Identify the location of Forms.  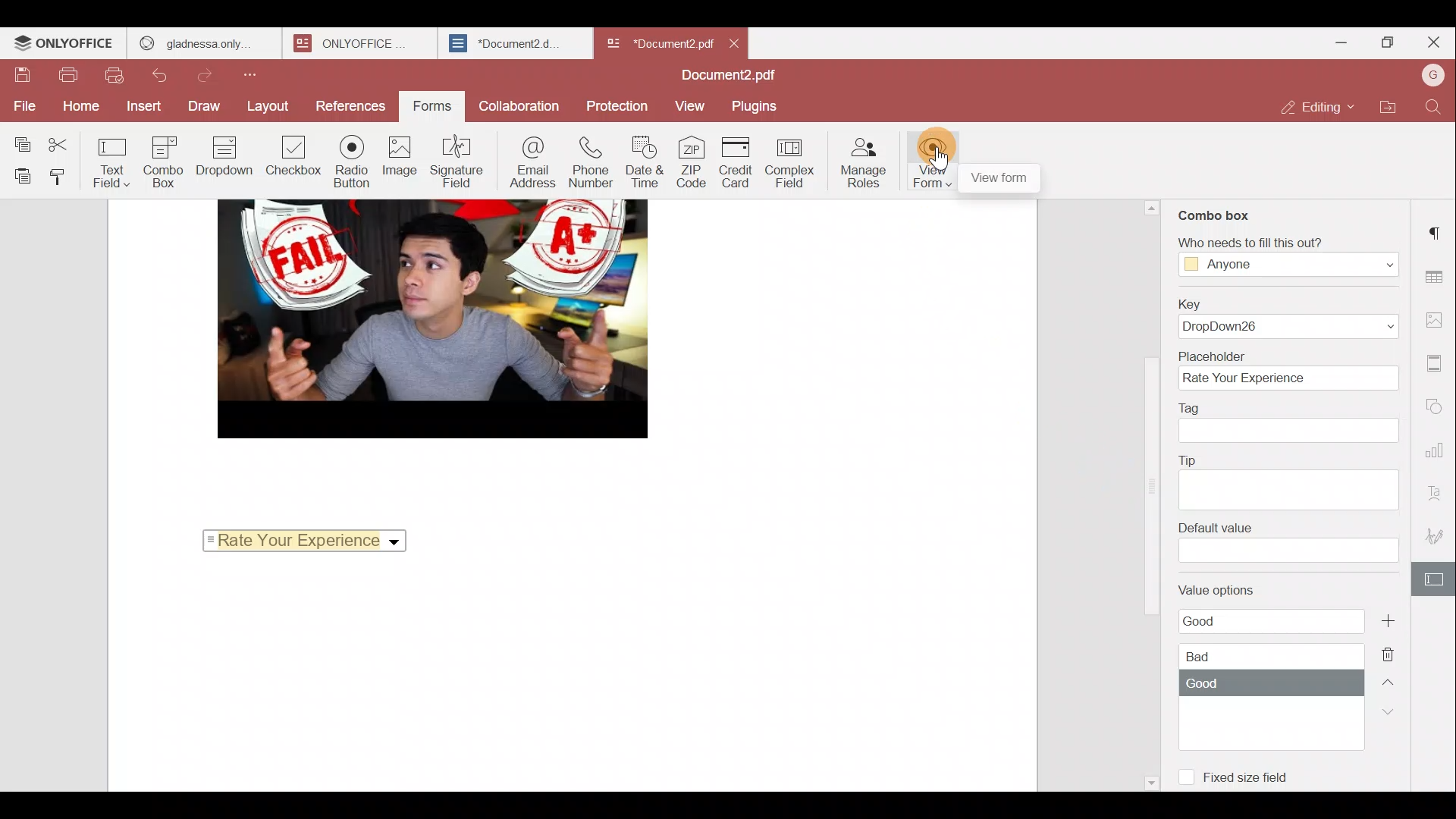
(427, 107).